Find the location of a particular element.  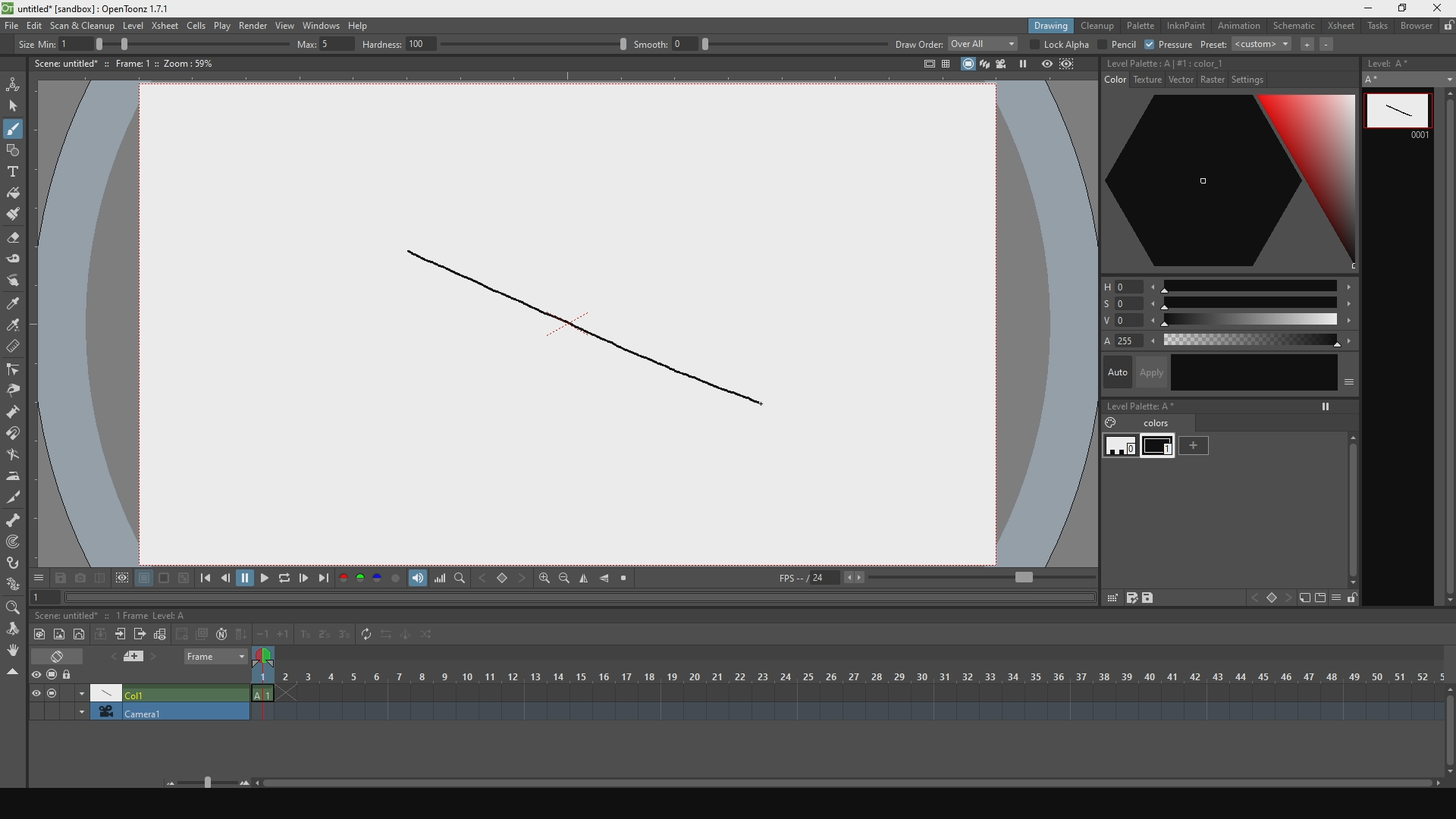

color select is located at coordinates (14, 327).